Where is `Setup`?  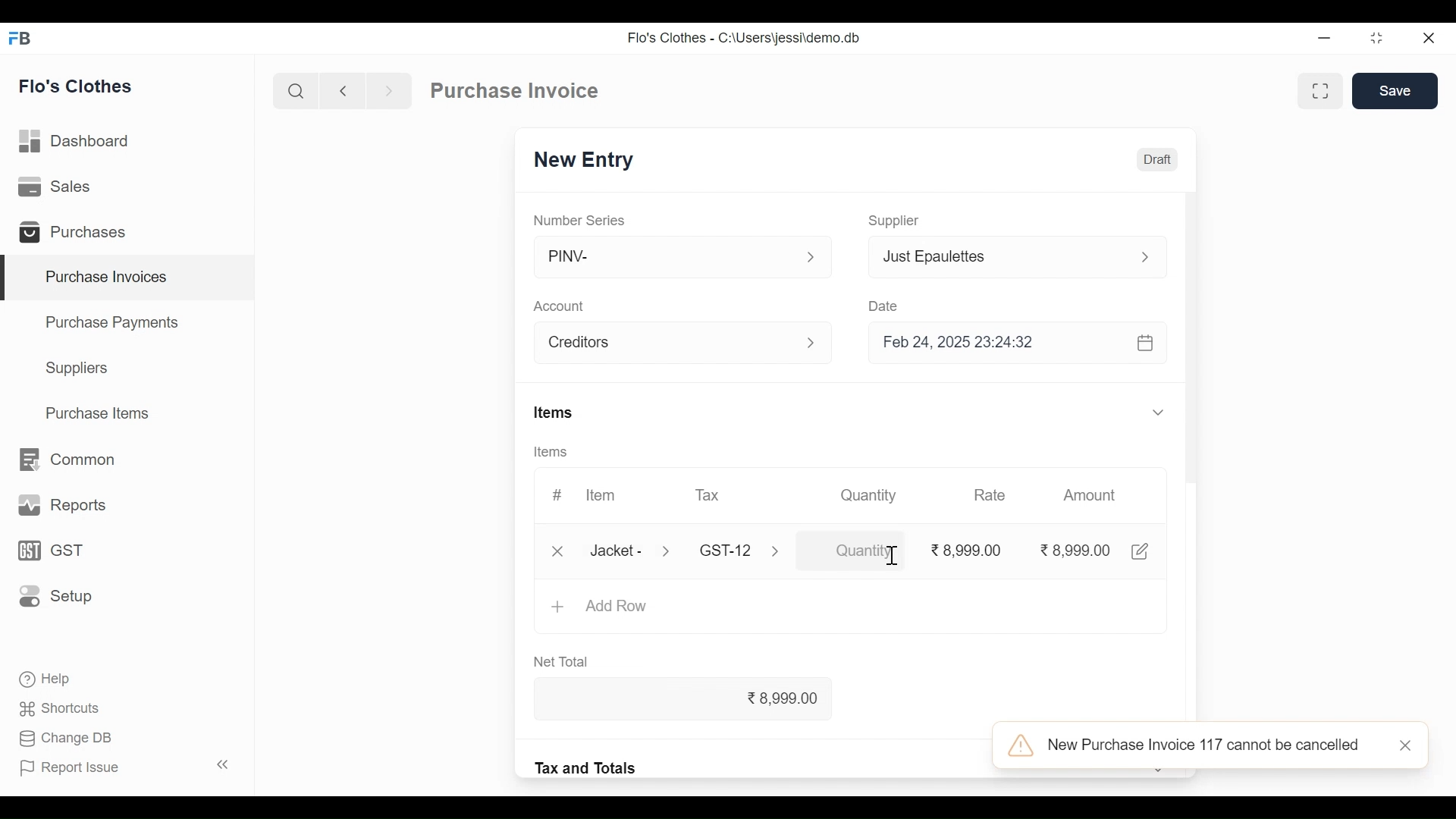 Setup is located at coordinates (52, 597).